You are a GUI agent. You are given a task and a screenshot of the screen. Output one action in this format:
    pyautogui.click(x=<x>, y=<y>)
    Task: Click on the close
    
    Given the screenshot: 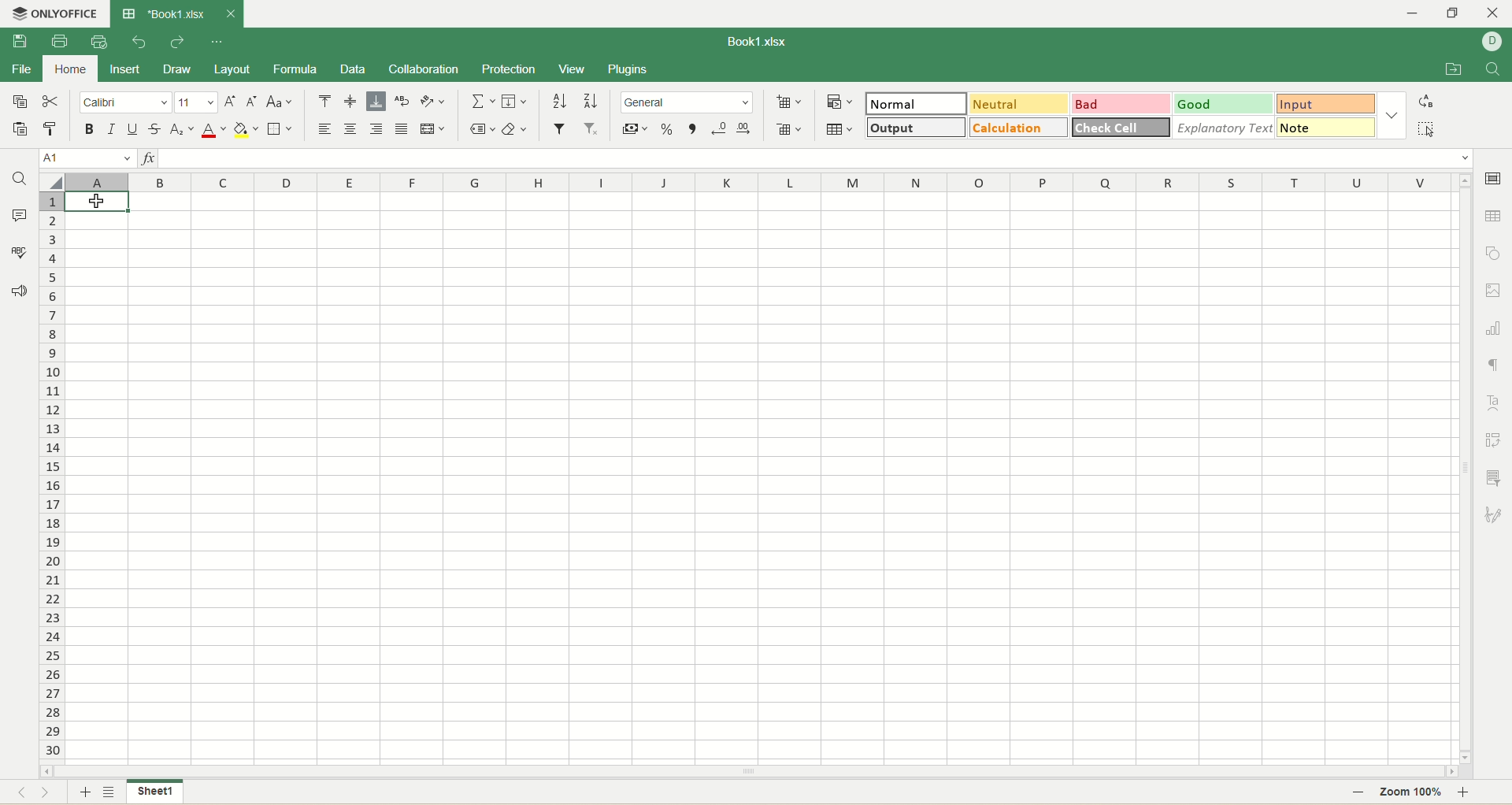 What is the action you would take?
    pyautogui.click(x=1495, y=12)
    